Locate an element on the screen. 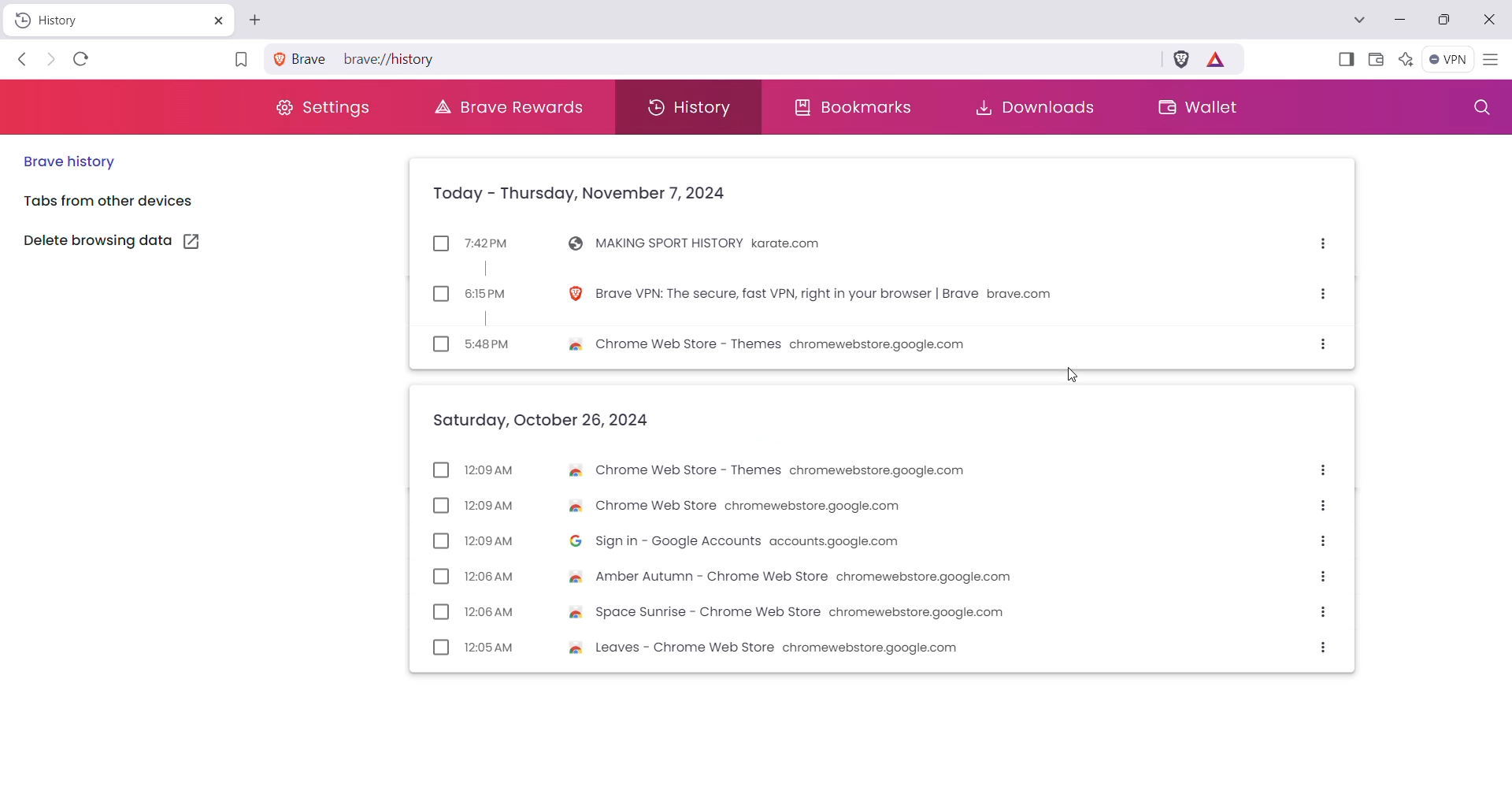  Amber Autumn - Chrome Web Store chromewebstore.google.com is located at coordinates (822, 578).